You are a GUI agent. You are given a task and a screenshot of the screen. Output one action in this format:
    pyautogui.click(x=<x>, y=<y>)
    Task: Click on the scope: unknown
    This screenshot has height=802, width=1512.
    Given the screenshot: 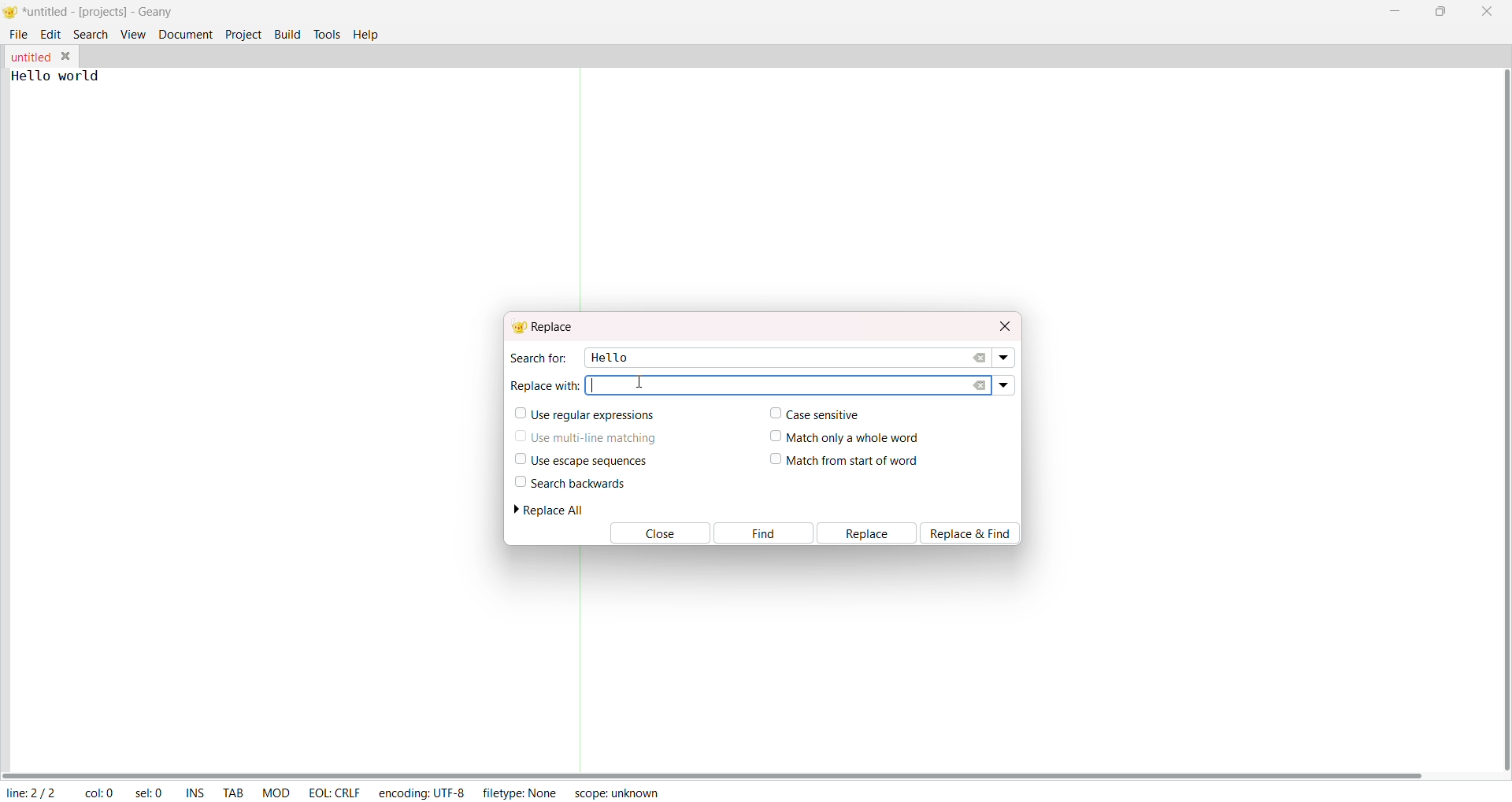 What is the action you would take?
    pyautogui.click(x=618, y=792)
    